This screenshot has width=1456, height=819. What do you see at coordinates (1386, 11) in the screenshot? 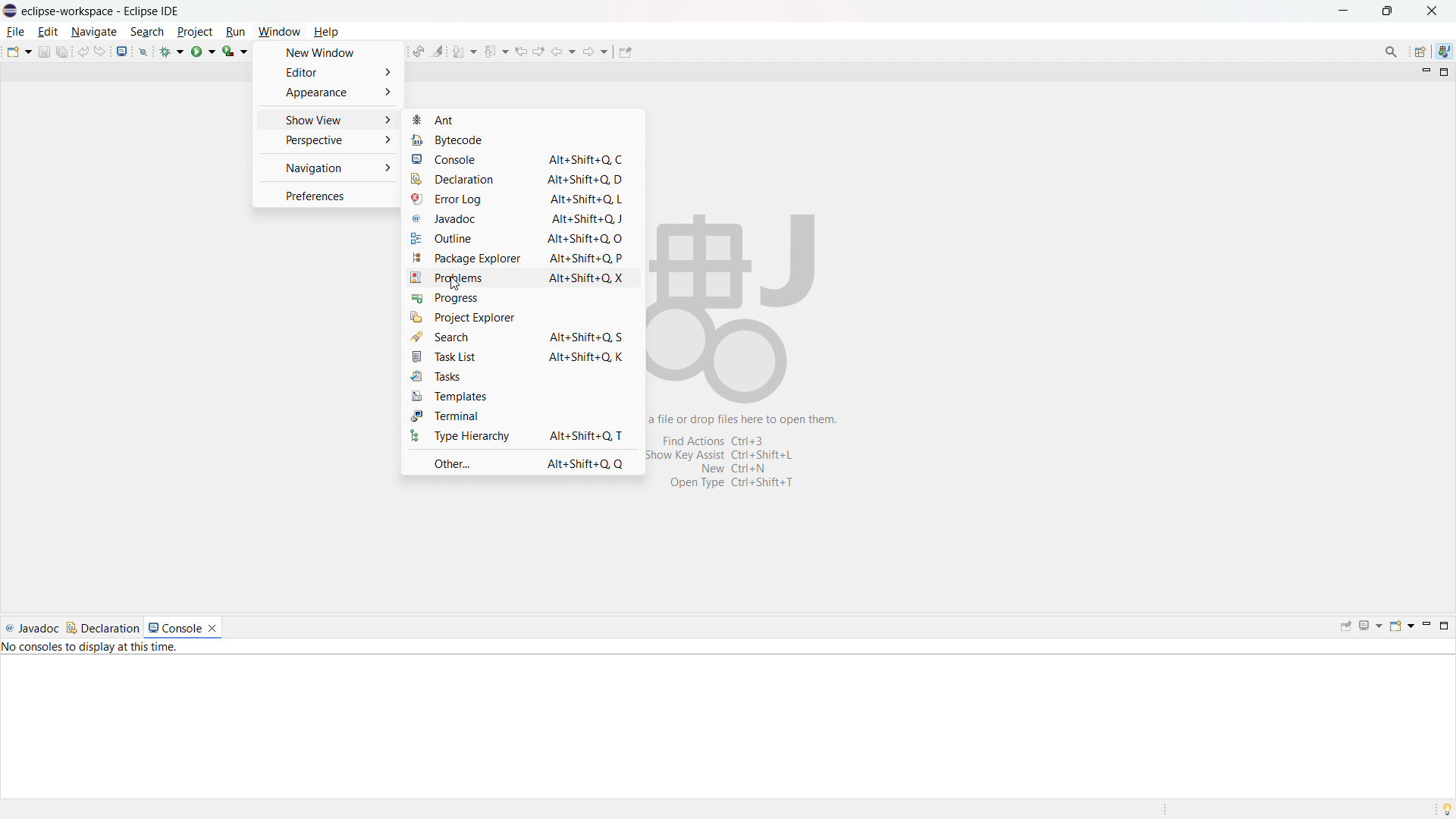
I see `maximize` at bounding box center [1386, 11].